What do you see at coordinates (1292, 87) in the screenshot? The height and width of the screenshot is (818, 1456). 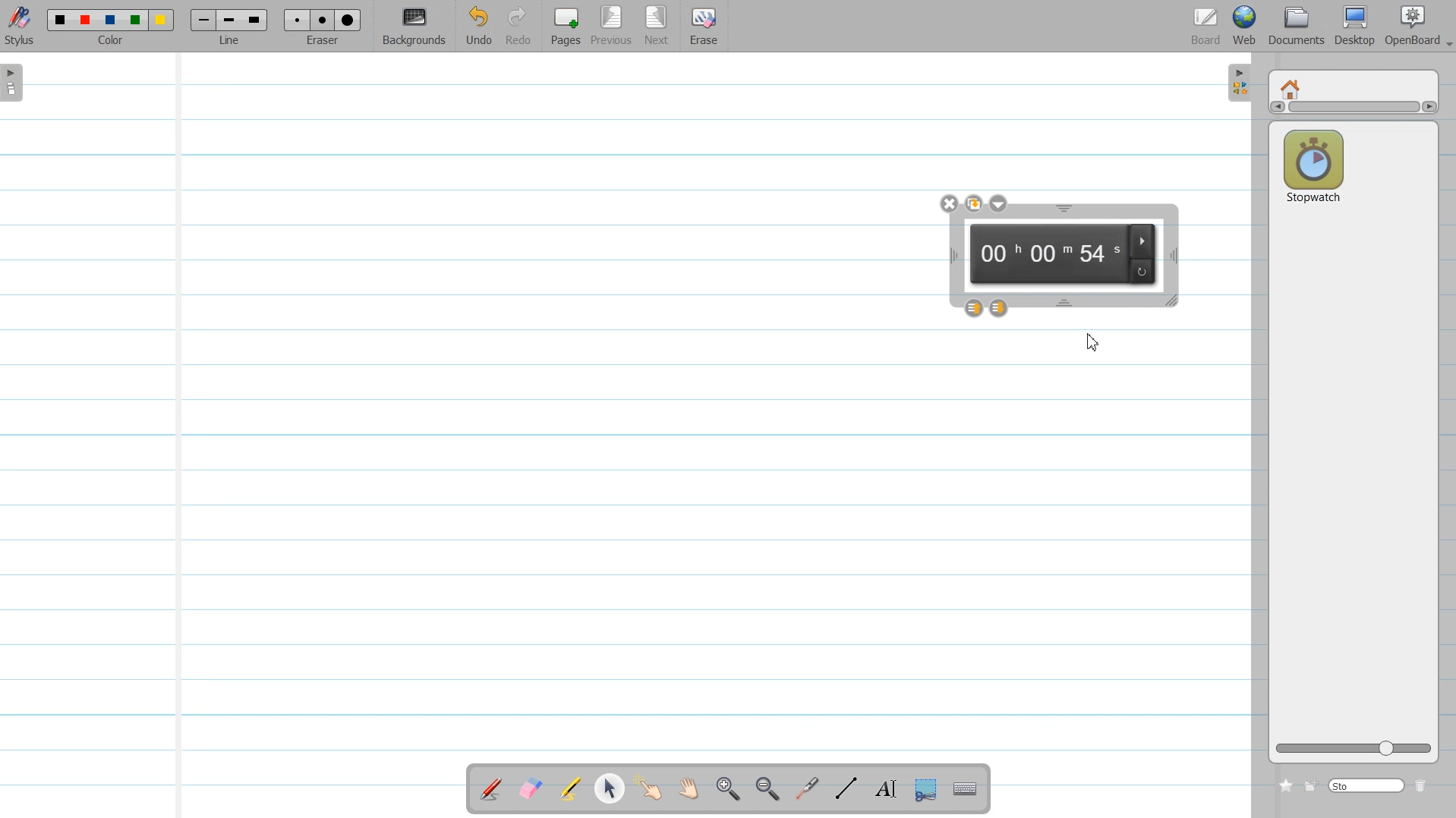 I see `Home window` at bounding box center [1292, 87].